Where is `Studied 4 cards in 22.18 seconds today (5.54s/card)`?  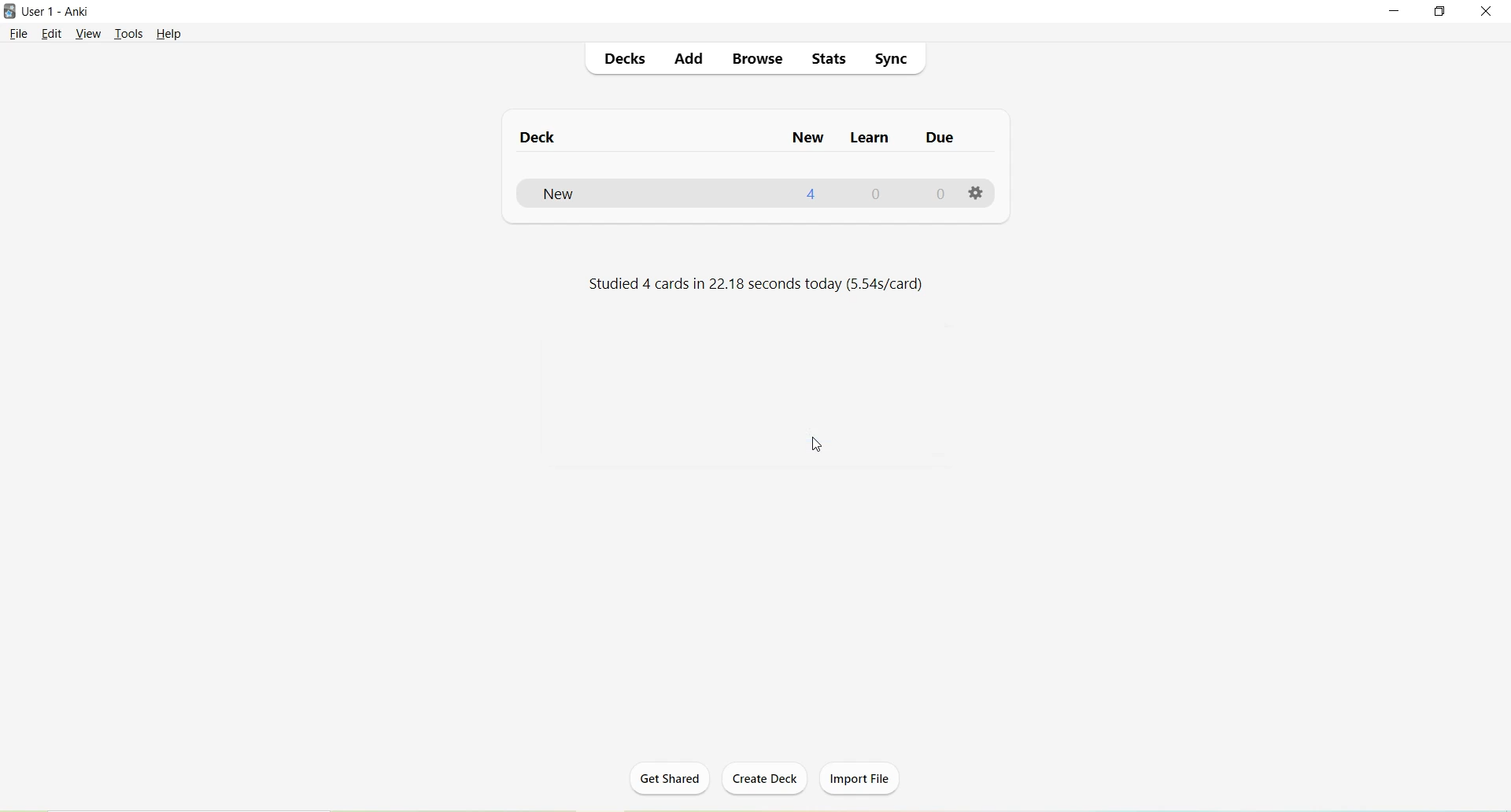 Studied 4 cards in 22.18 seconds today (5.54s/card) is located at coordinates (754, 285).